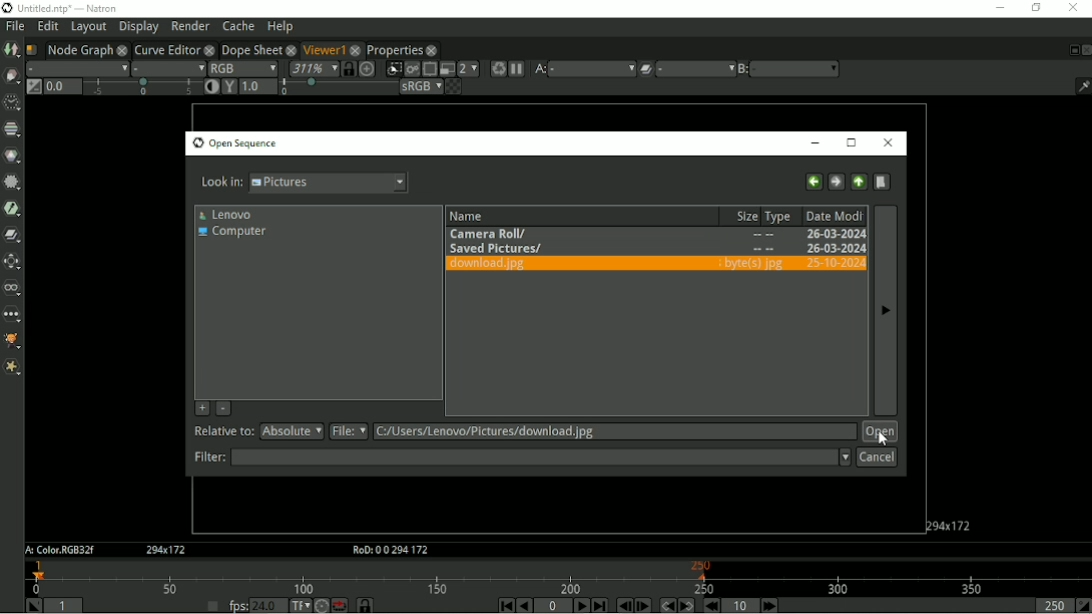 The height and width of the screenshot is (614, 1092). I want to click on Minimize, so click(997, 10).